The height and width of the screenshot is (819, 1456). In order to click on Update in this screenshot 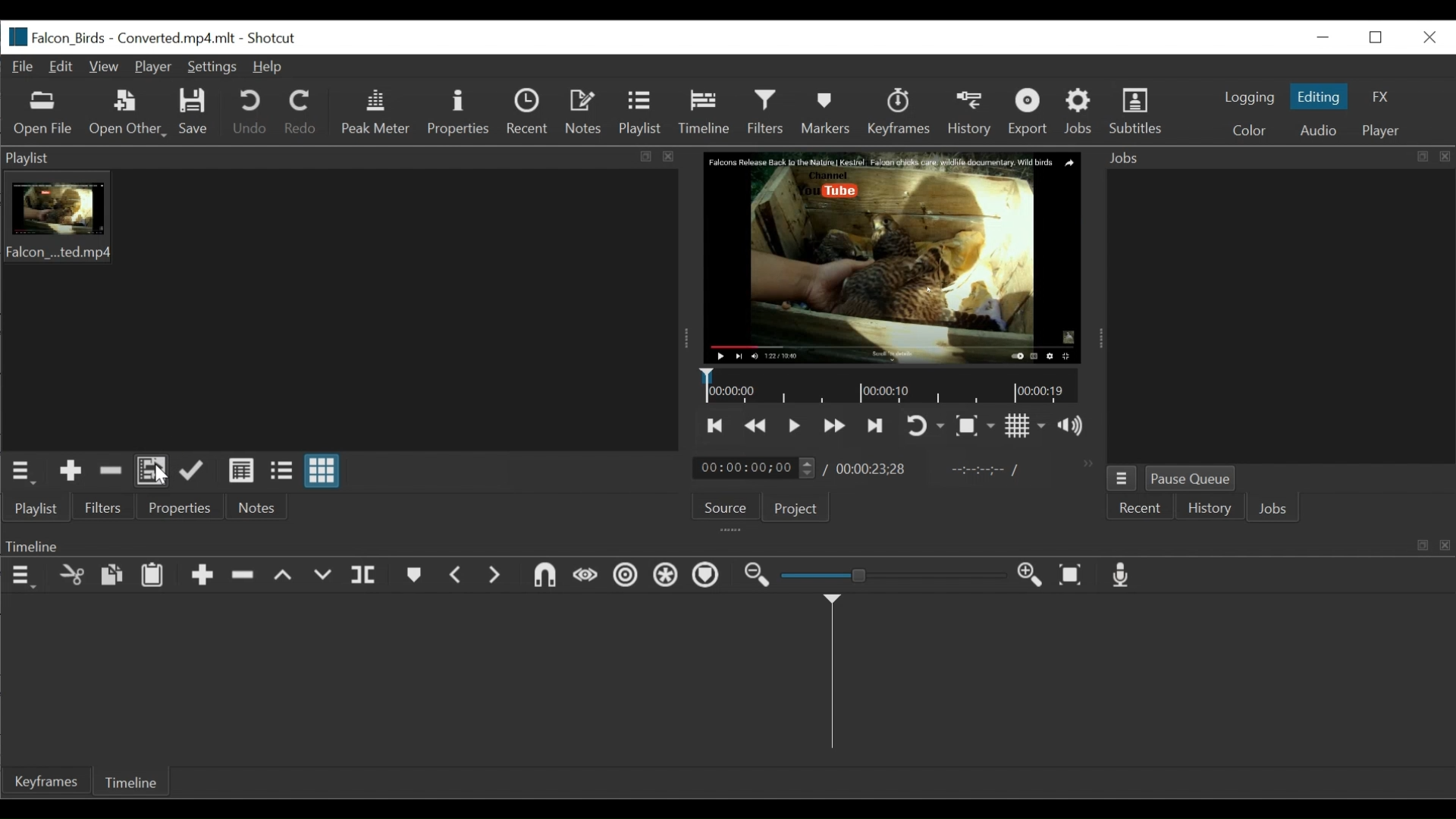, I will do `click(196, 472)`.